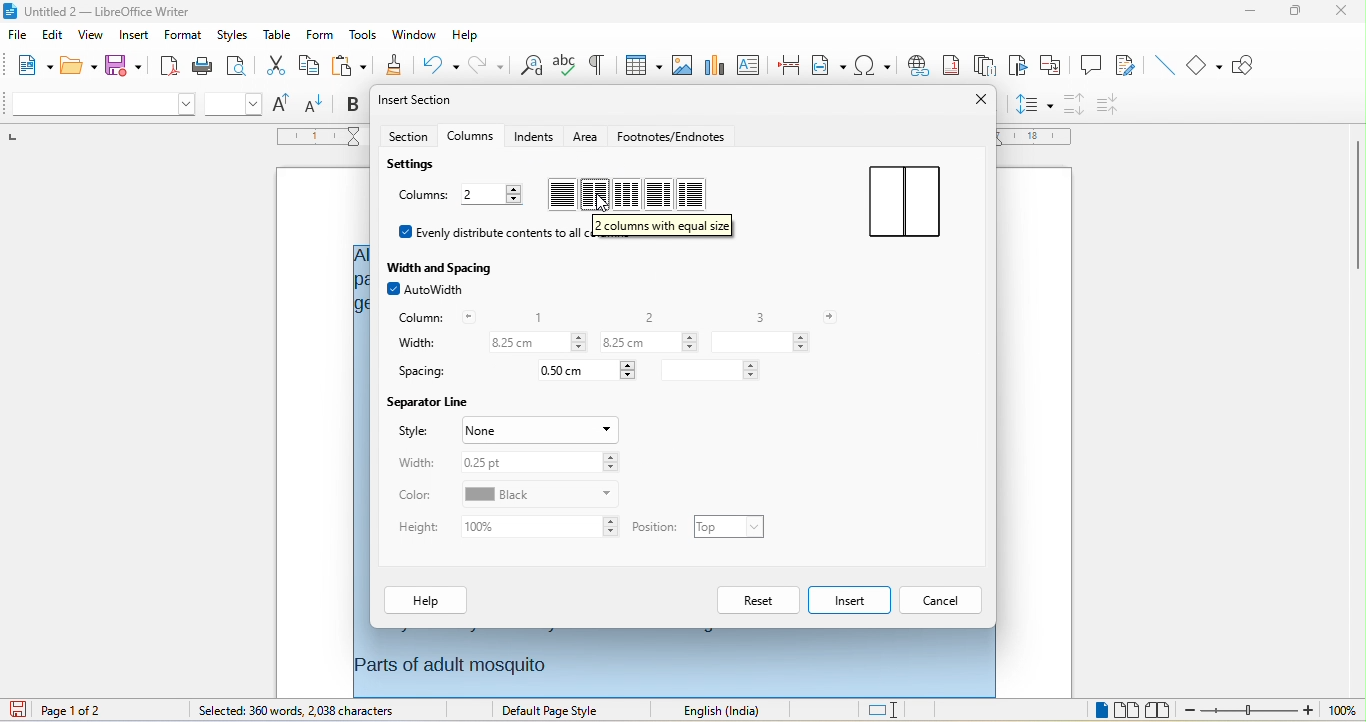  I want to click on undo, so click(436, 65).